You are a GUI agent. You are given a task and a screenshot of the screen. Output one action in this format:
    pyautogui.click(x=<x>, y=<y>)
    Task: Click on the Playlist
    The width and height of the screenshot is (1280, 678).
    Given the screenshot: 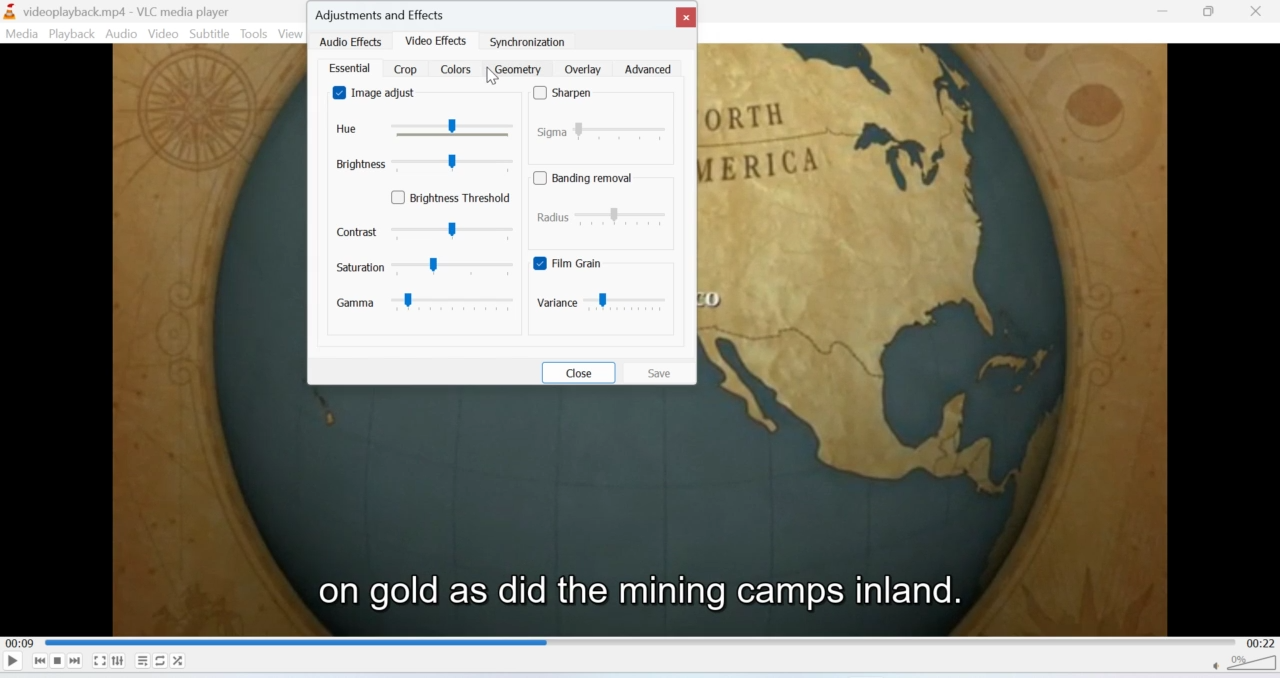 What is the action you would take?
    pyautogui.click(x=143, y=661)
    